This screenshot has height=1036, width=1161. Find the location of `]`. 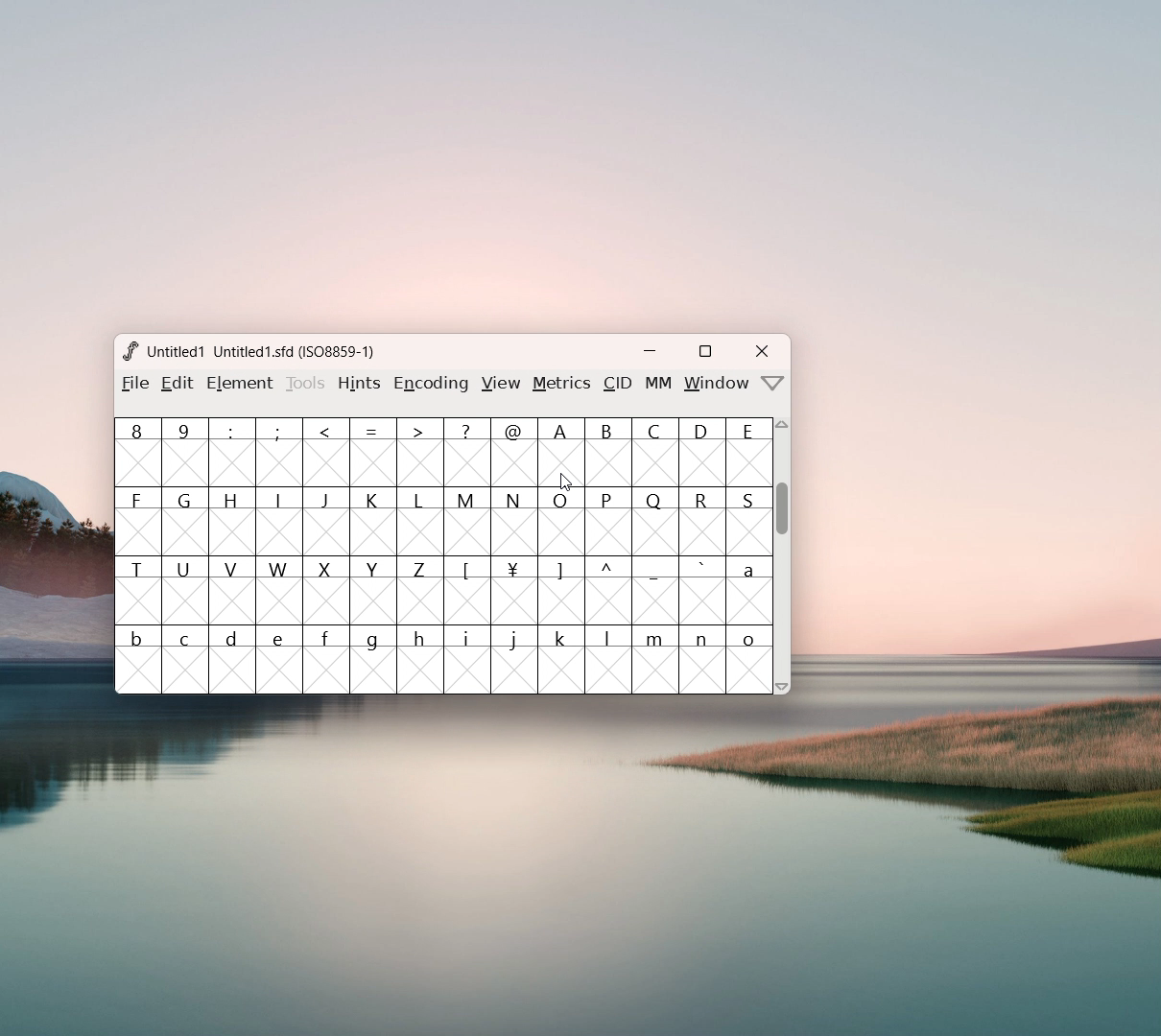

] is located at coordinates (562, 591).